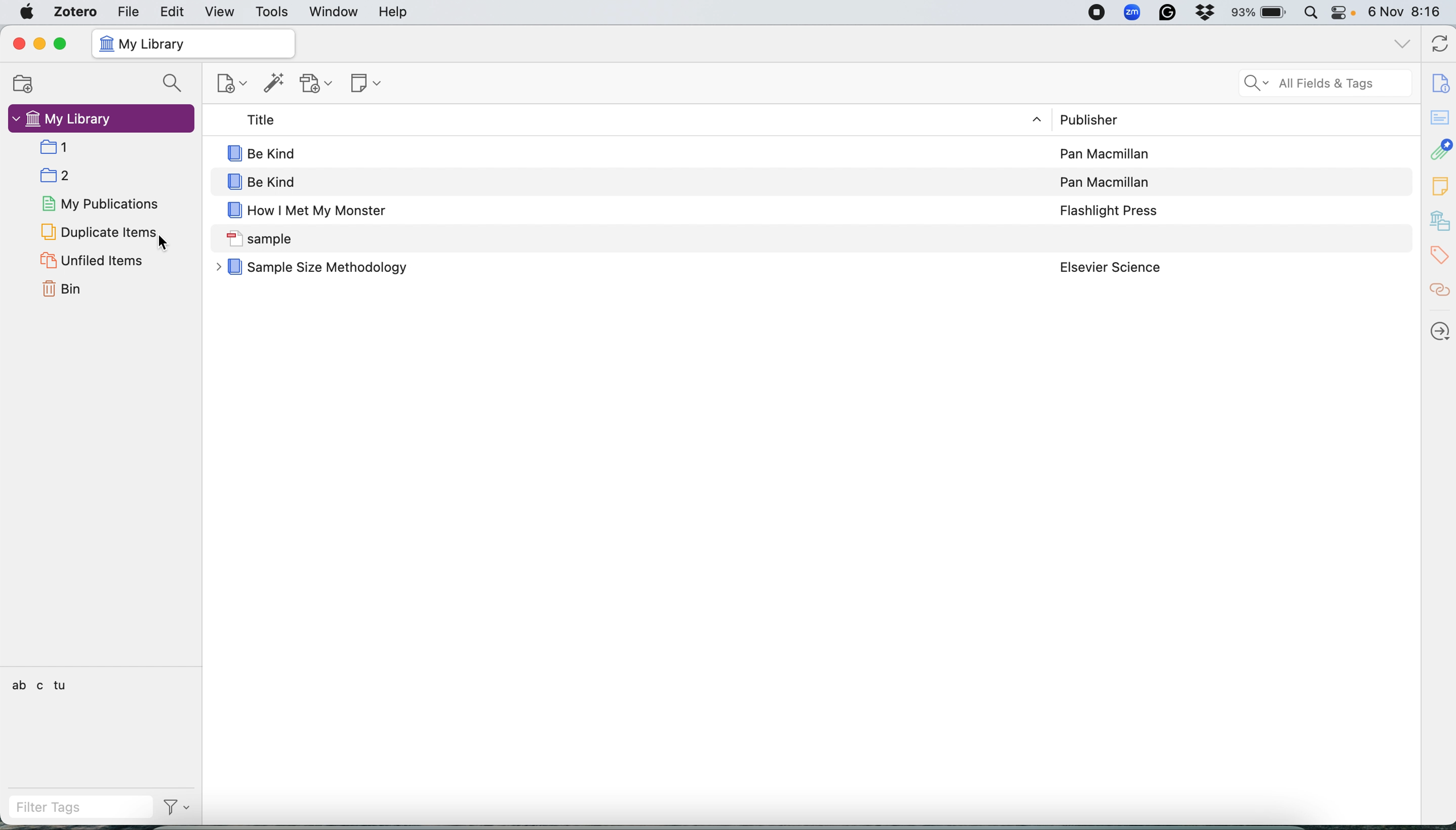  Describe the element at coordinates (612, 235) in the screenshot. I see `Sample` at that location.